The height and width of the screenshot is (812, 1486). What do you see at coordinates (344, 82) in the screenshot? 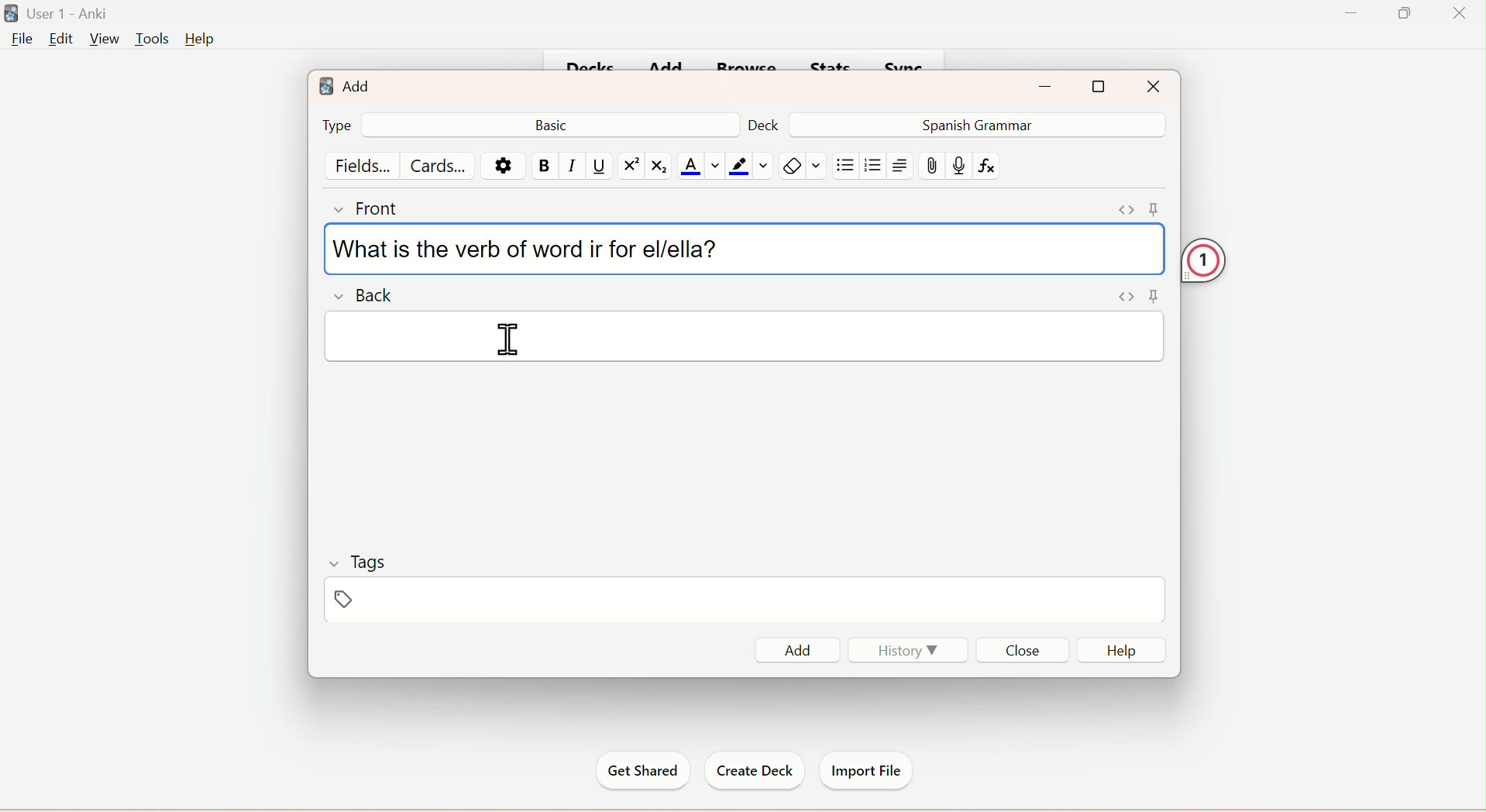
I see `Add` at bounding box center [344, 82].